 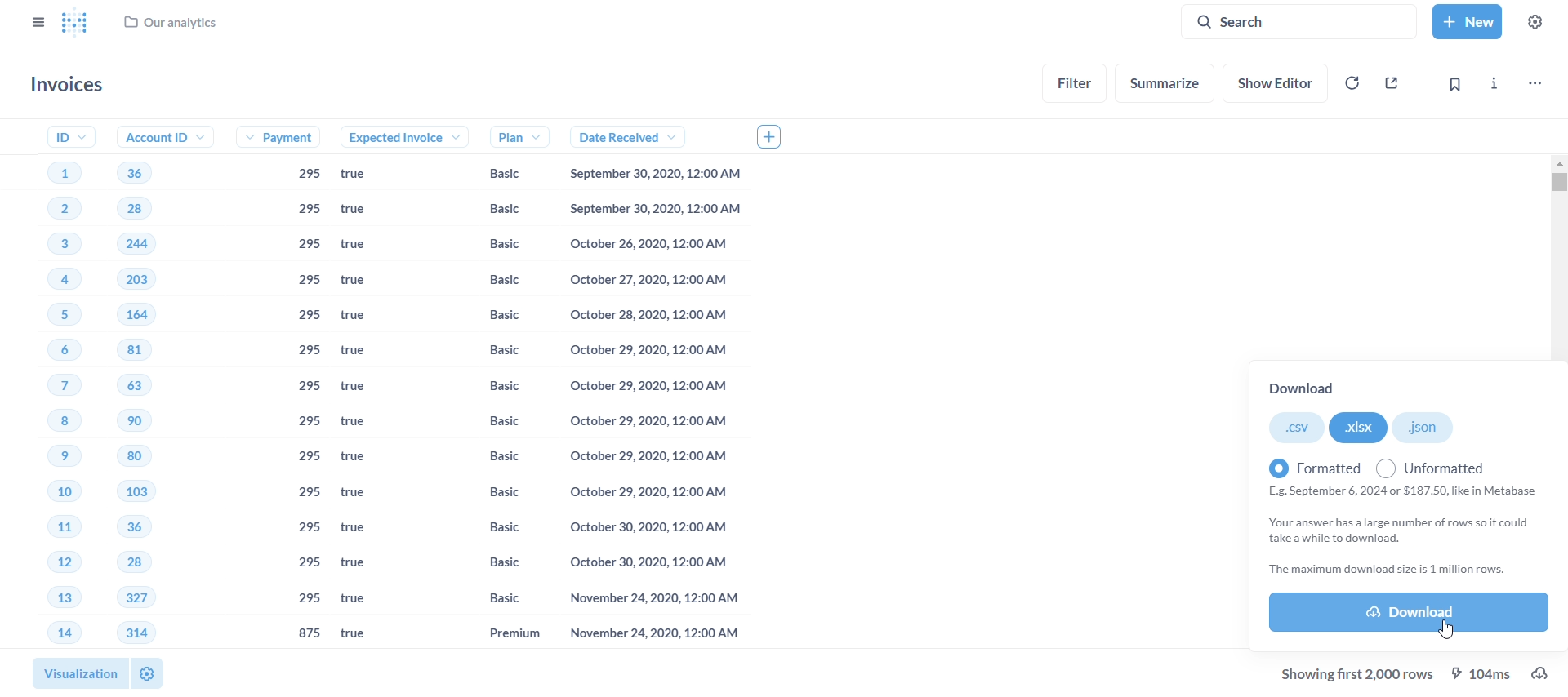 I want to click on more info, so click(x=1493, y=81).